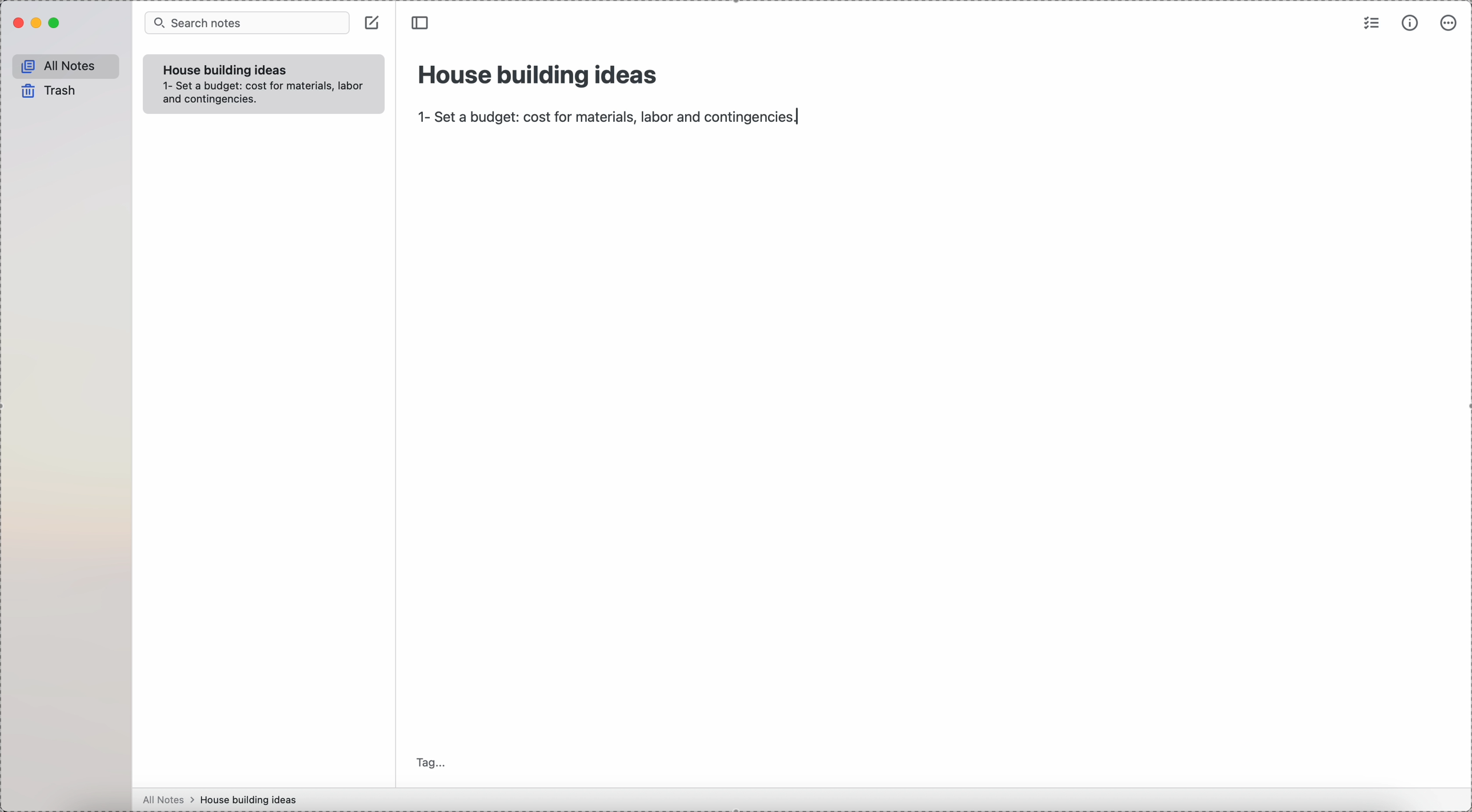 The image size is (1472, 812). I want to click on house building ideas, so click(539, 73).